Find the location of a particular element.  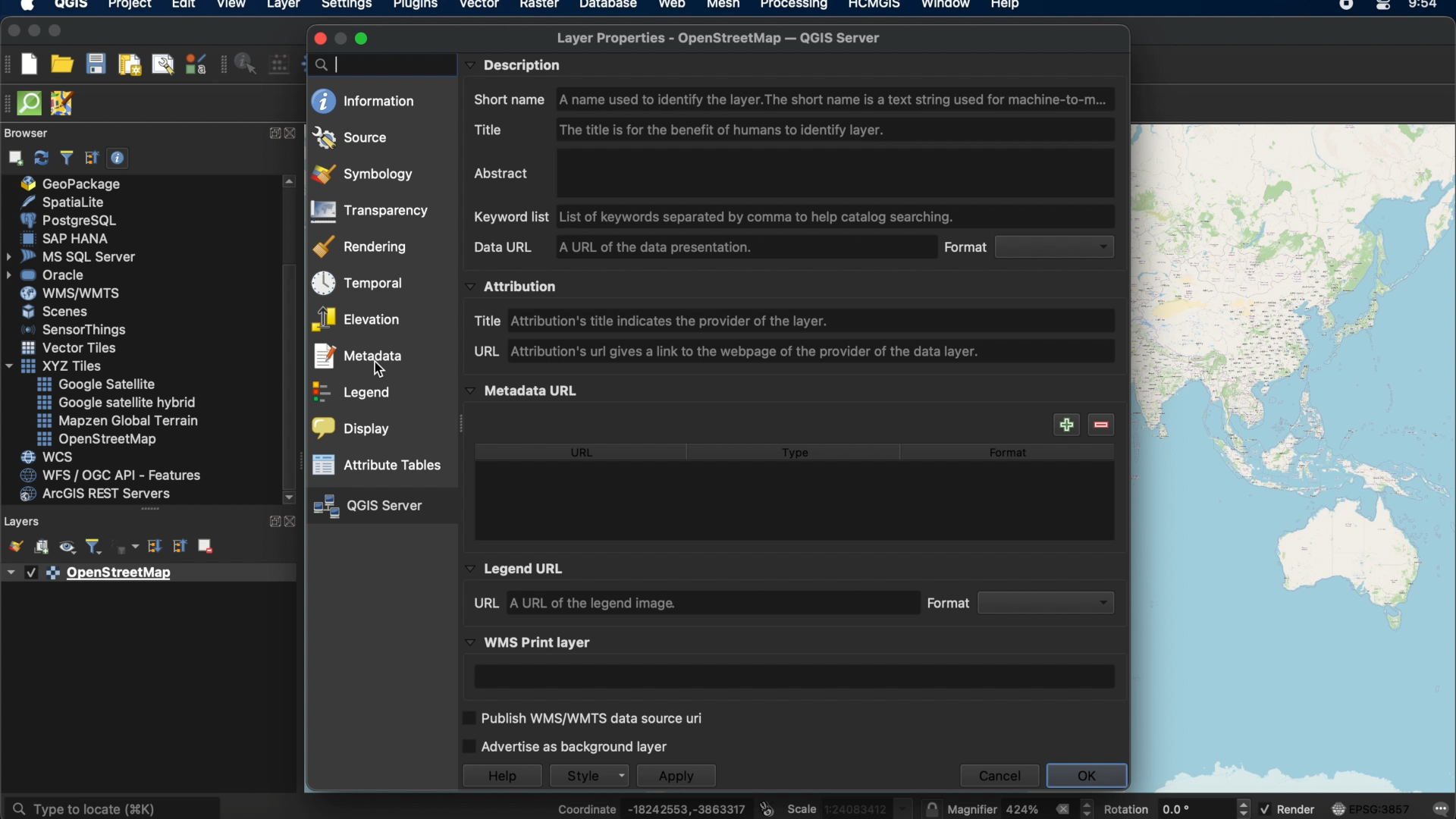

minimize is located at coordinates (33, 30).